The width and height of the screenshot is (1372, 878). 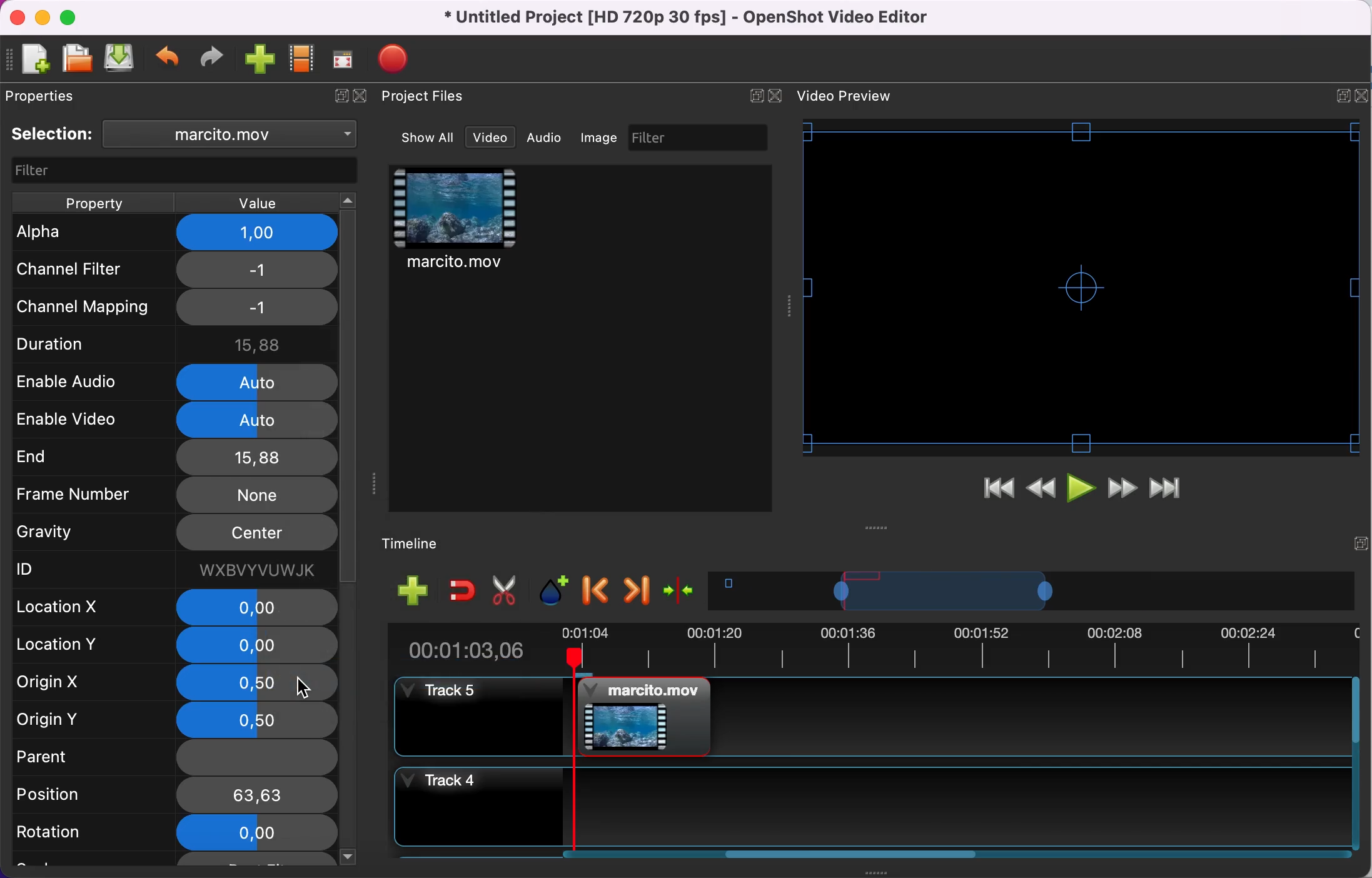 I want to click on track 4, so click(x=869, y=807).